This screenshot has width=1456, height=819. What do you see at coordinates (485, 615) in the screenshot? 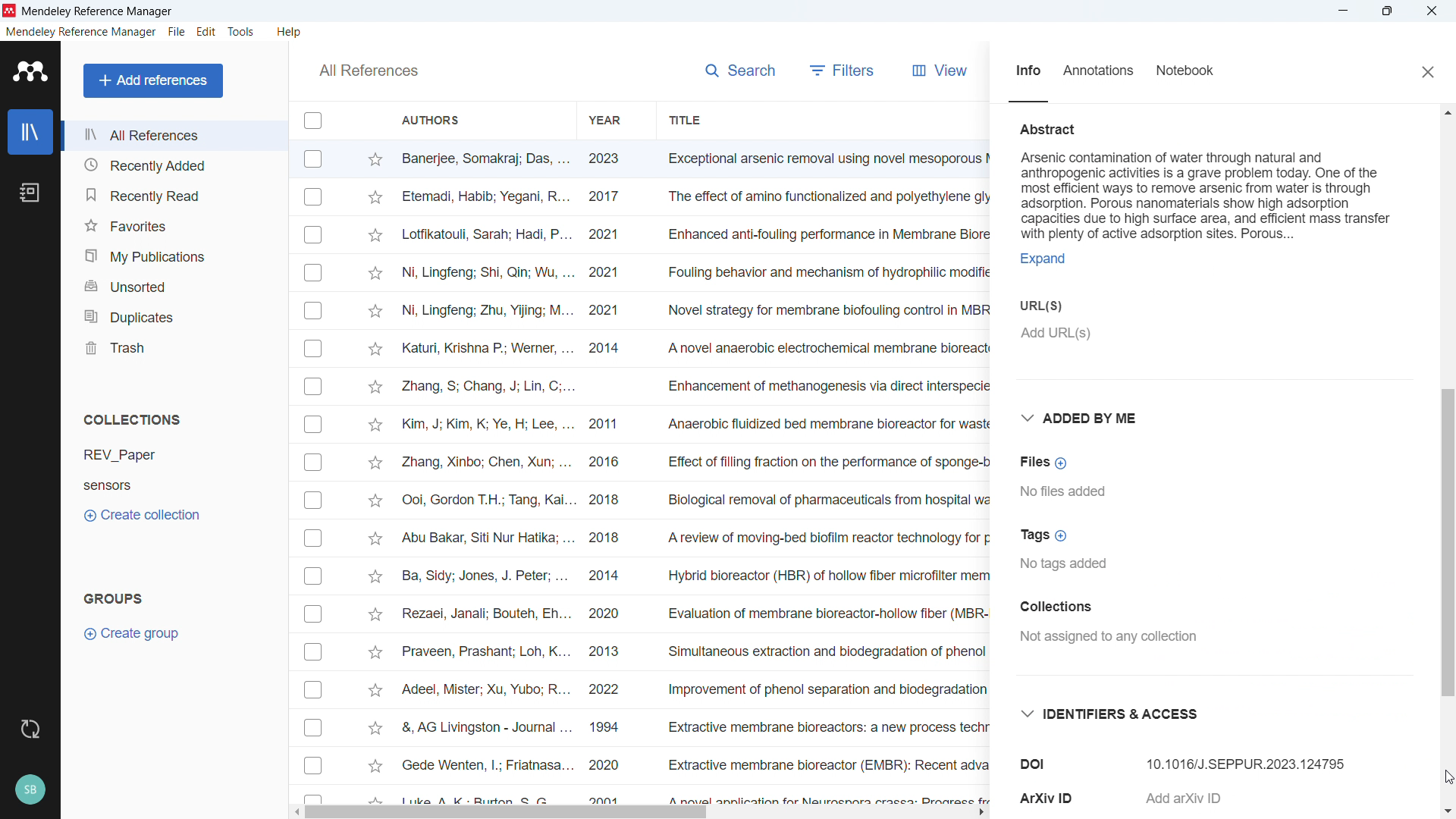
I see `rezaei,janall,boutch,eh` at bounding box center [485, 615].